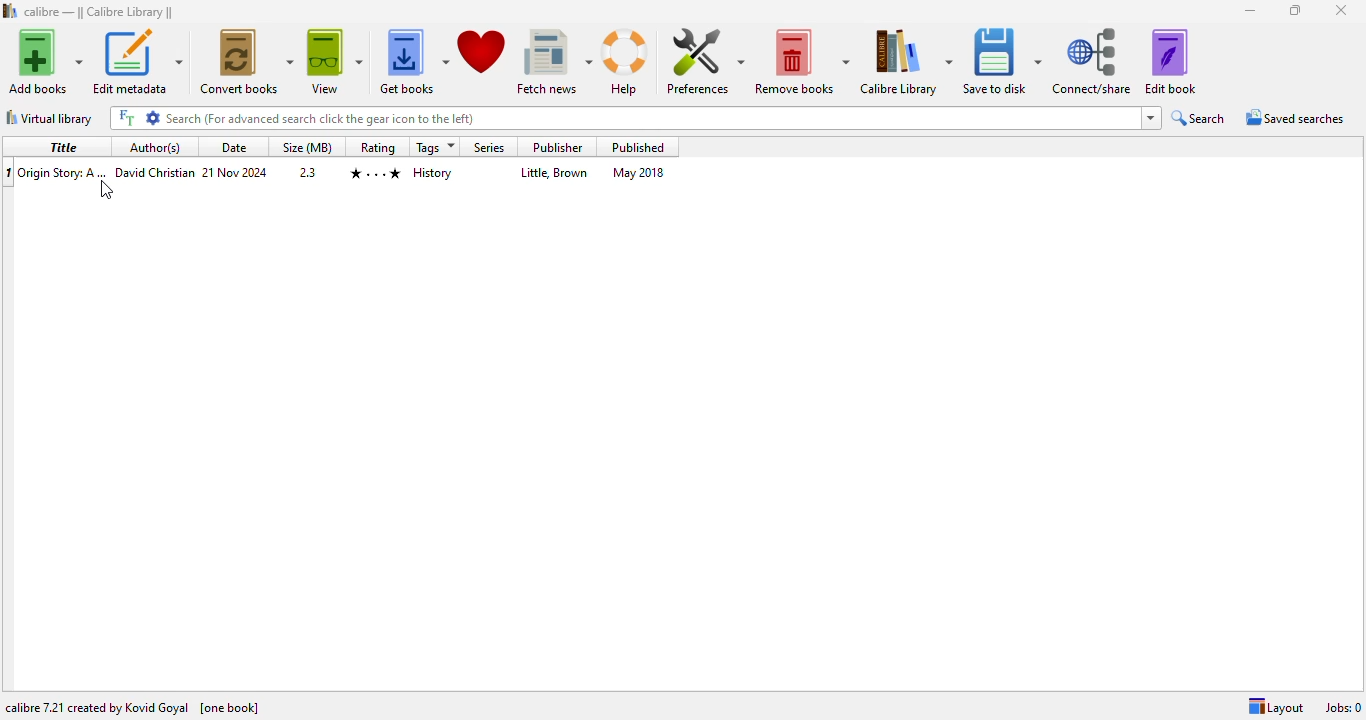 The height and width of the screenshot is (720, 1366). Describe the element at coordinates (1003, 61) in the screenshot. I see `save to disk` at that location.